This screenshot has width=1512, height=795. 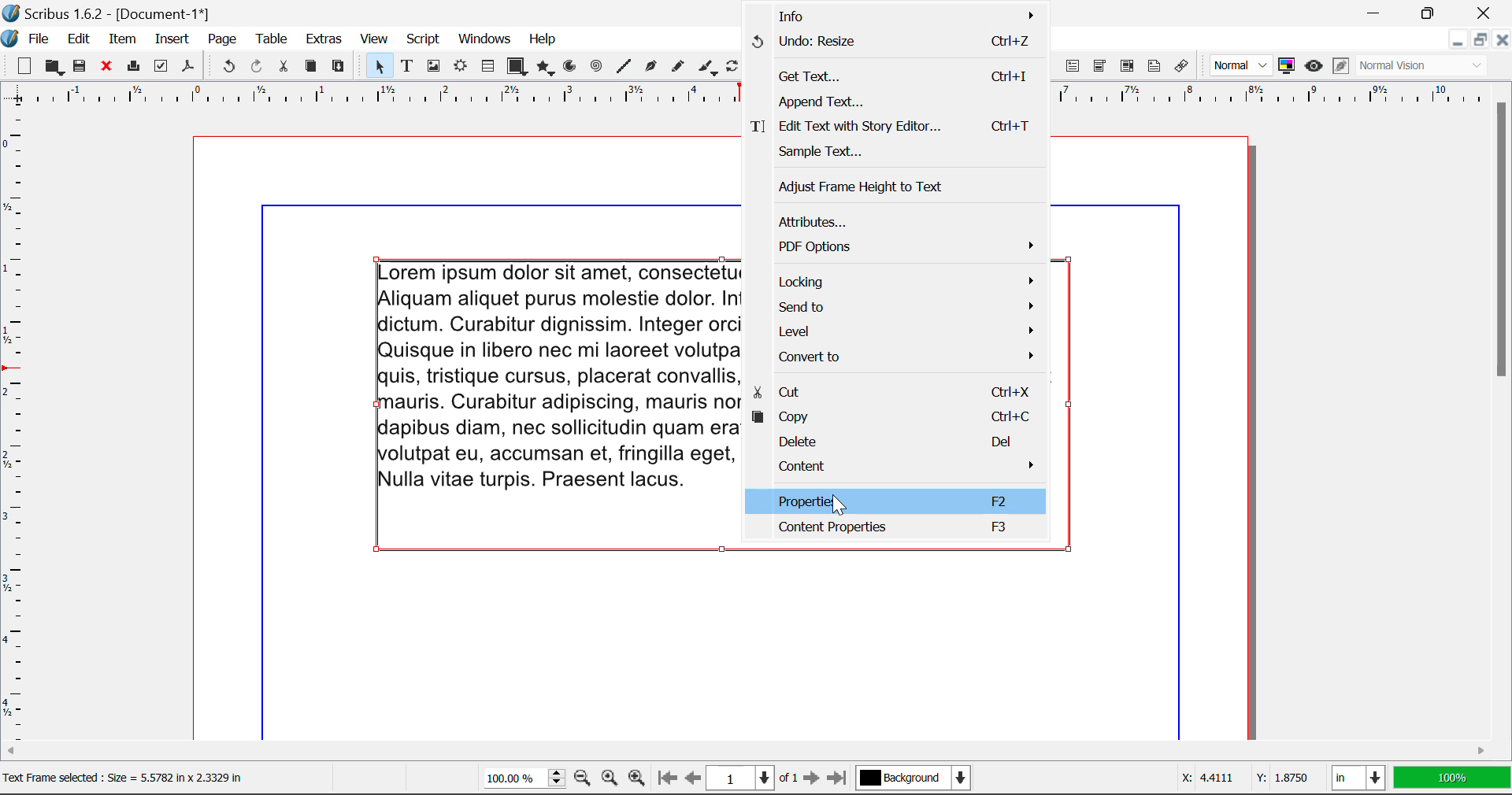 I want to click on Sample Text, so click(x=895, y=153).